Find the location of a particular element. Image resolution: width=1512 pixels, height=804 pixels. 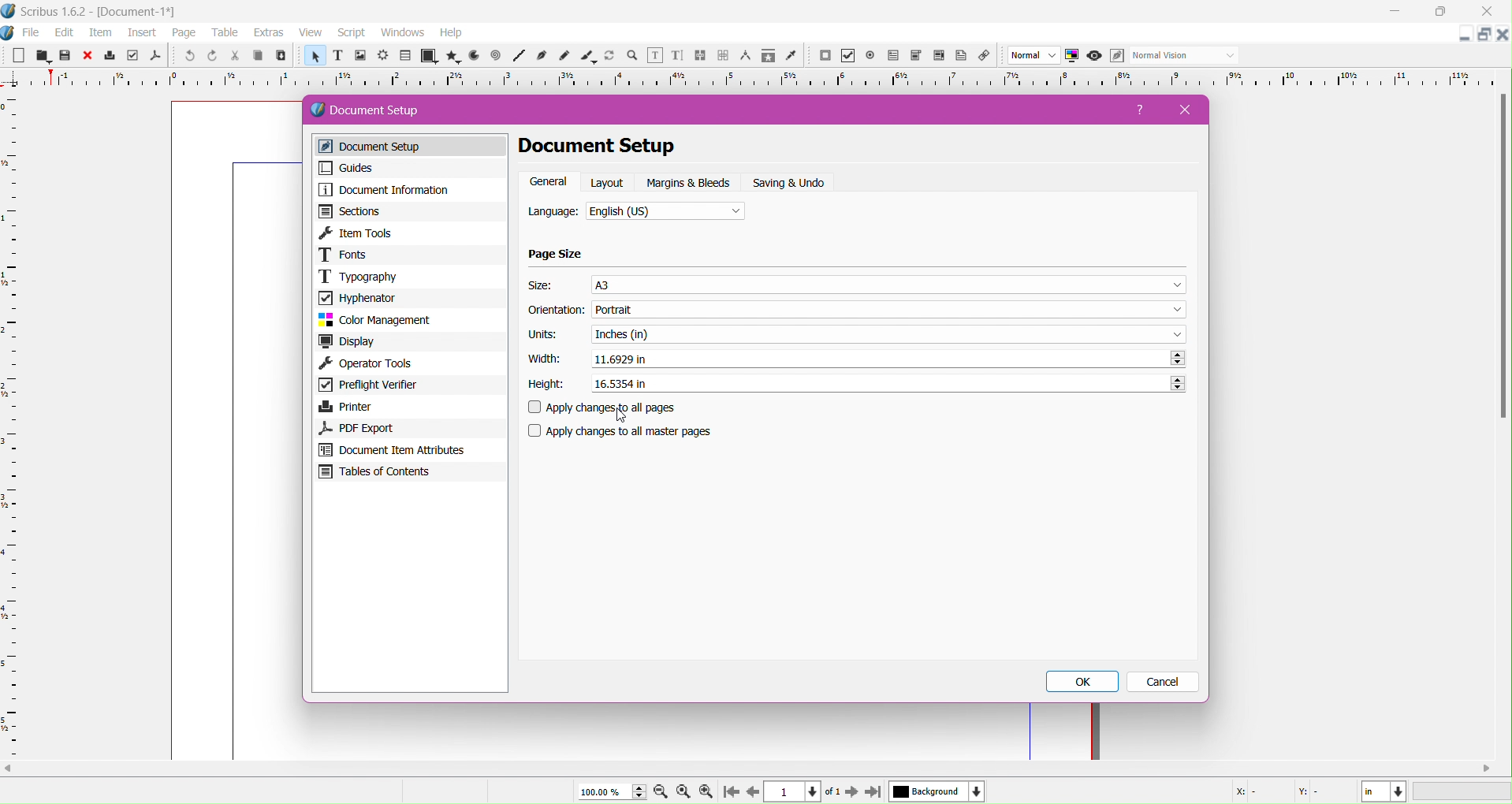

open is located at coordinates (40, 56).